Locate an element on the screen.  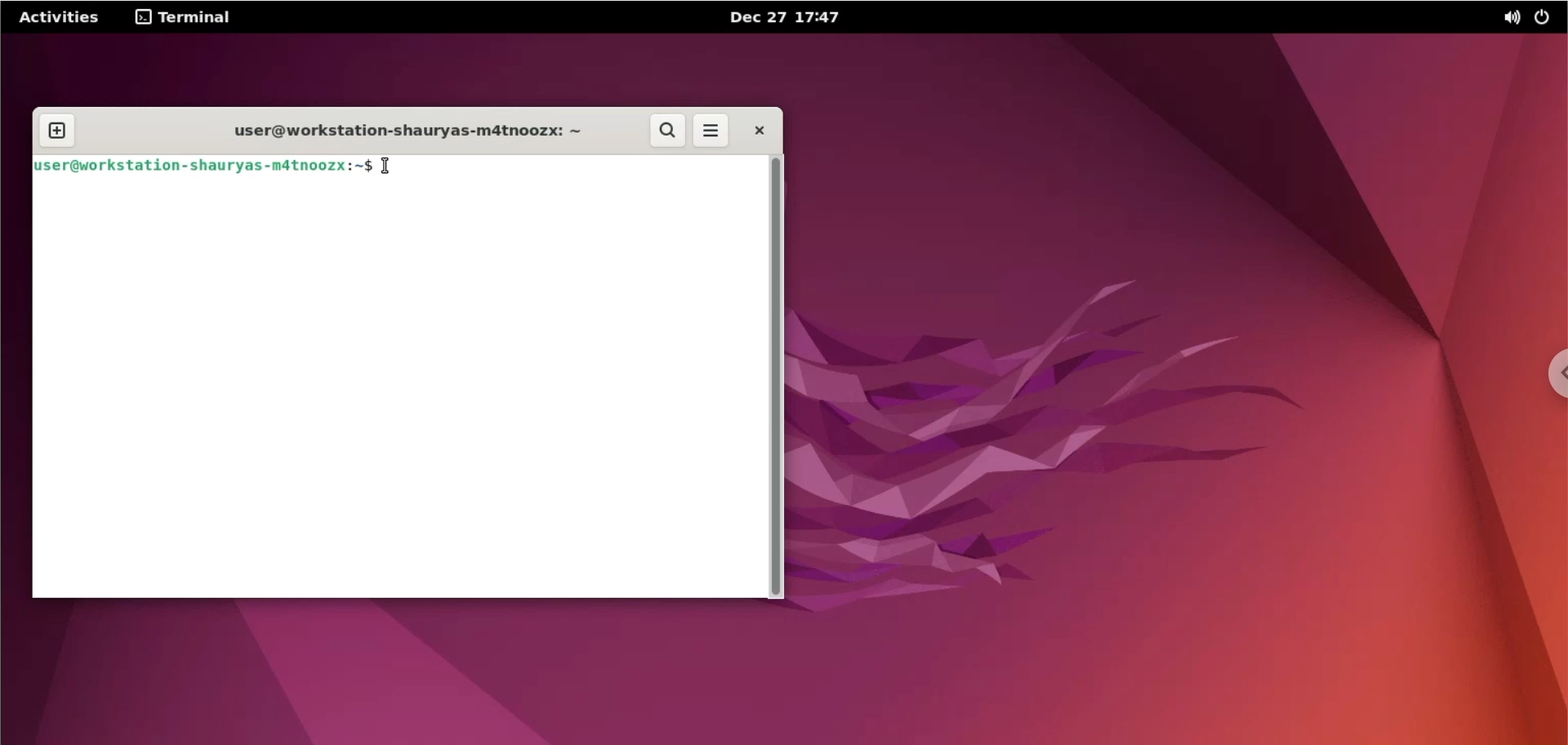
Activities is located at coordinates (58, 16).